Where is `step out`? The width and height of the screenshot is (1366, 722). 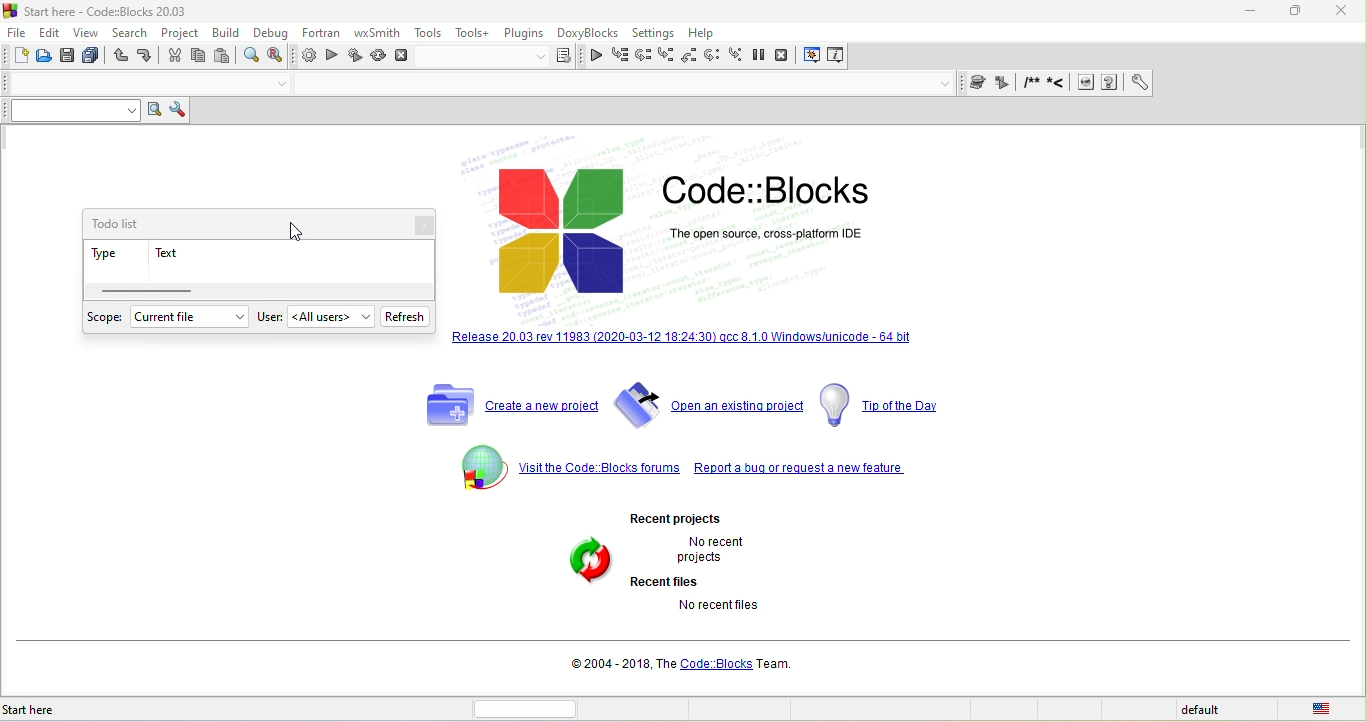 step out is located at coordinates (691, 57).